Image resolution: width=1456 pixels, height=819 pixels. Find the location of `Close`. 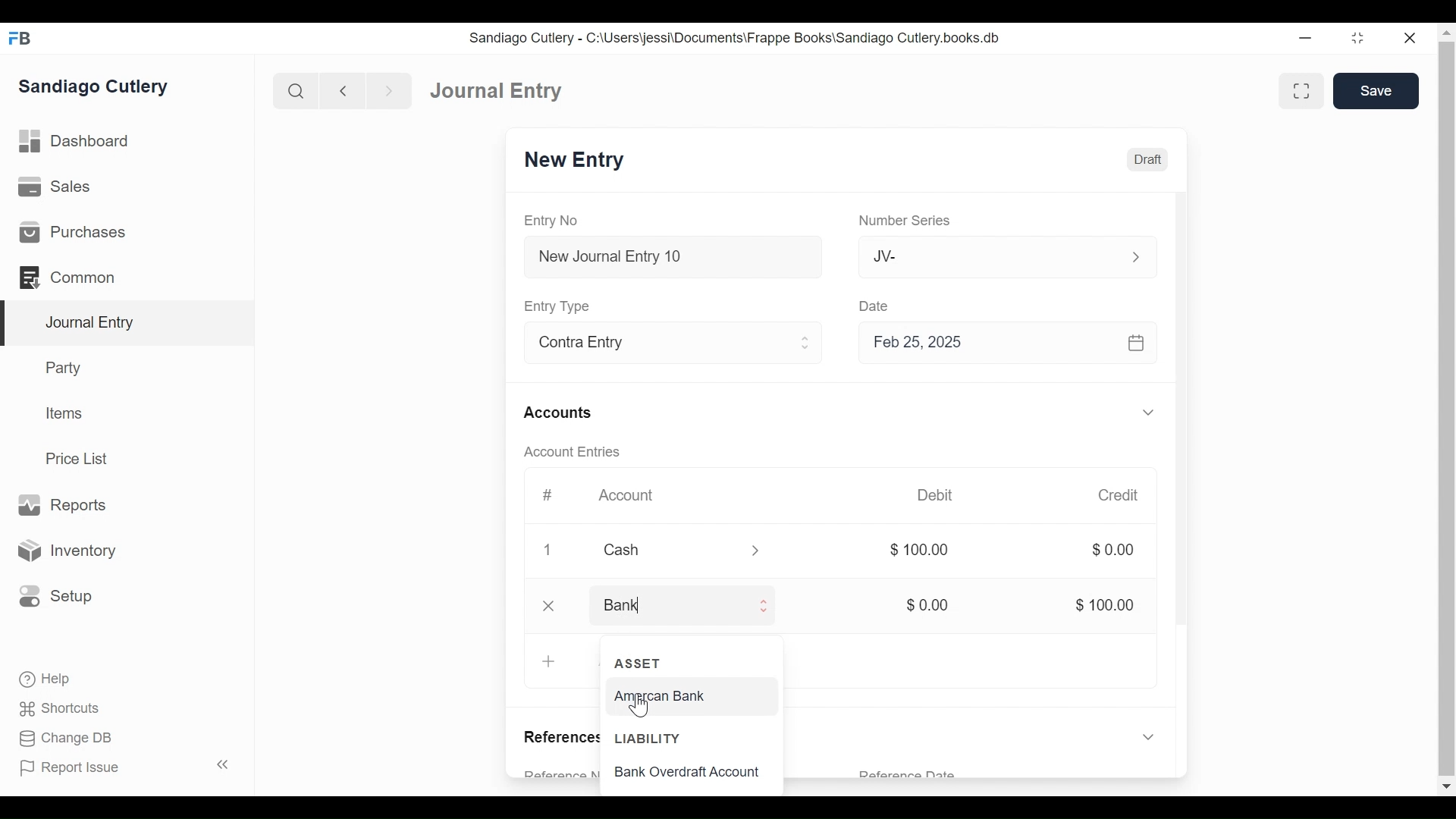

Close is located at coordinates (1411, 37).